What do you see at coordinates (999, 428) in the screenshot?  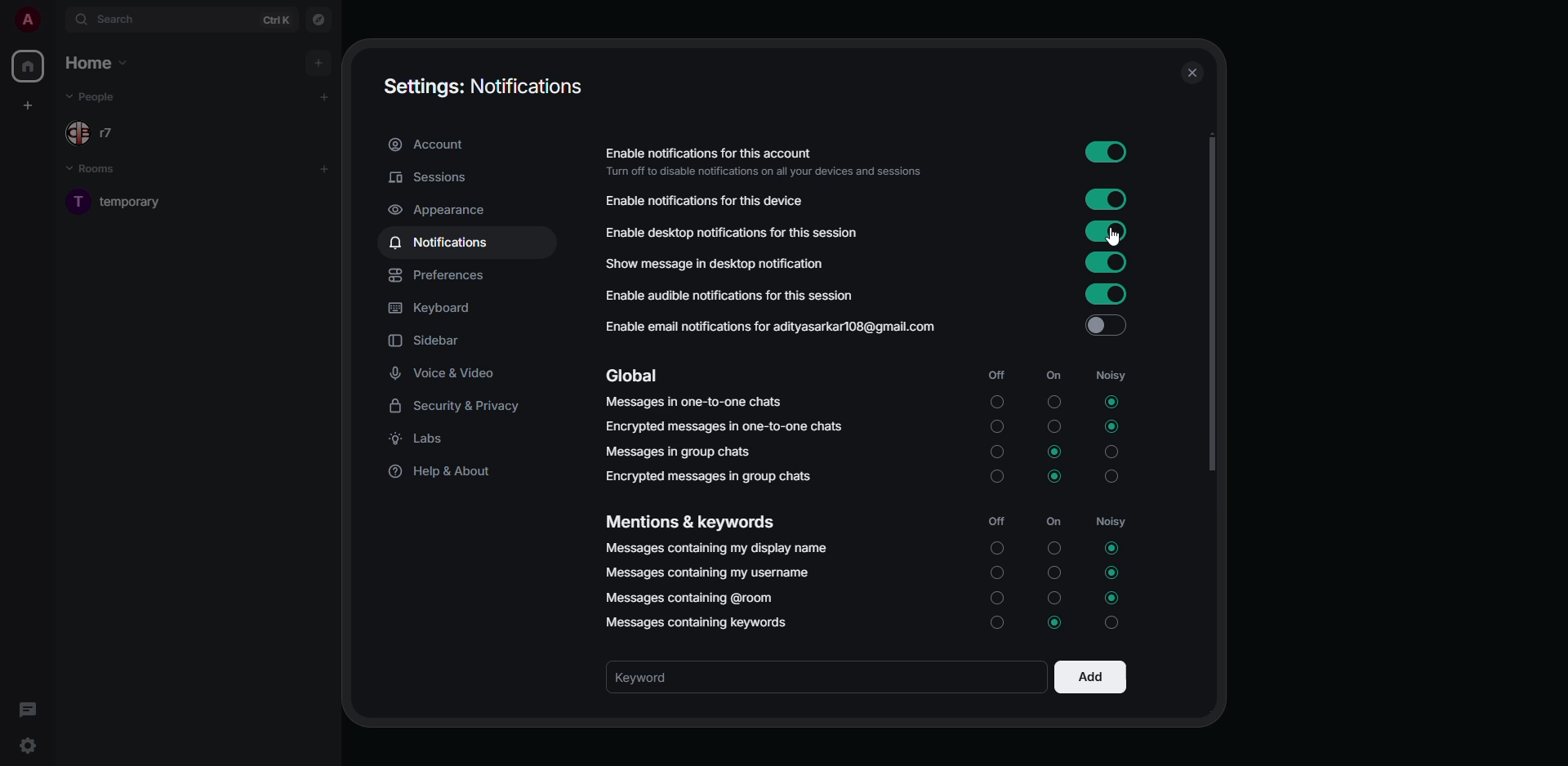 I see `turnon` at bounding box center [999, 428].